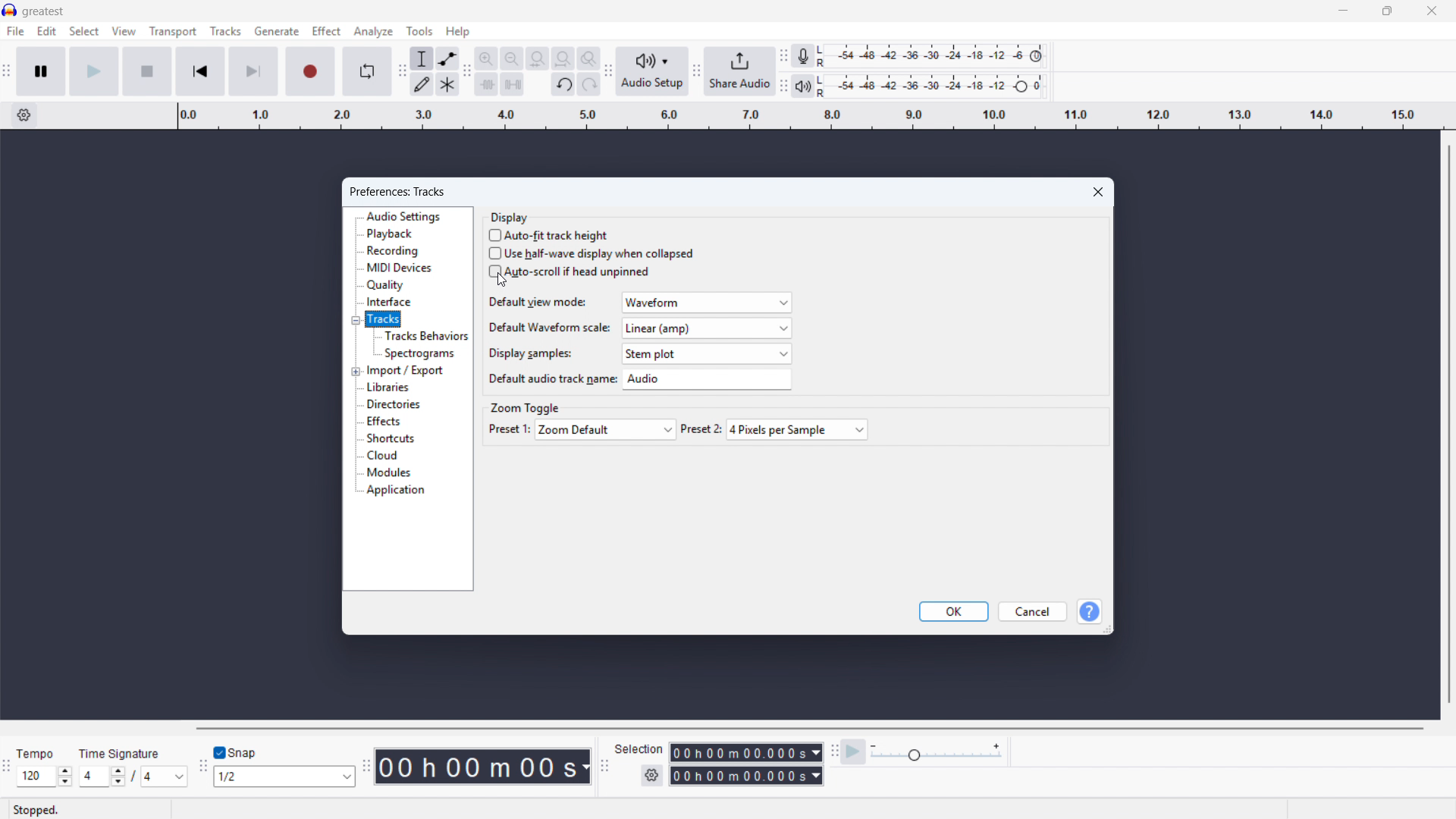 This screenshot has width=1456, height=819. What do you see at coordinates (487, 84) in the screenshot?
I see `trim audio outside selection` at bounding box center [487, 84].